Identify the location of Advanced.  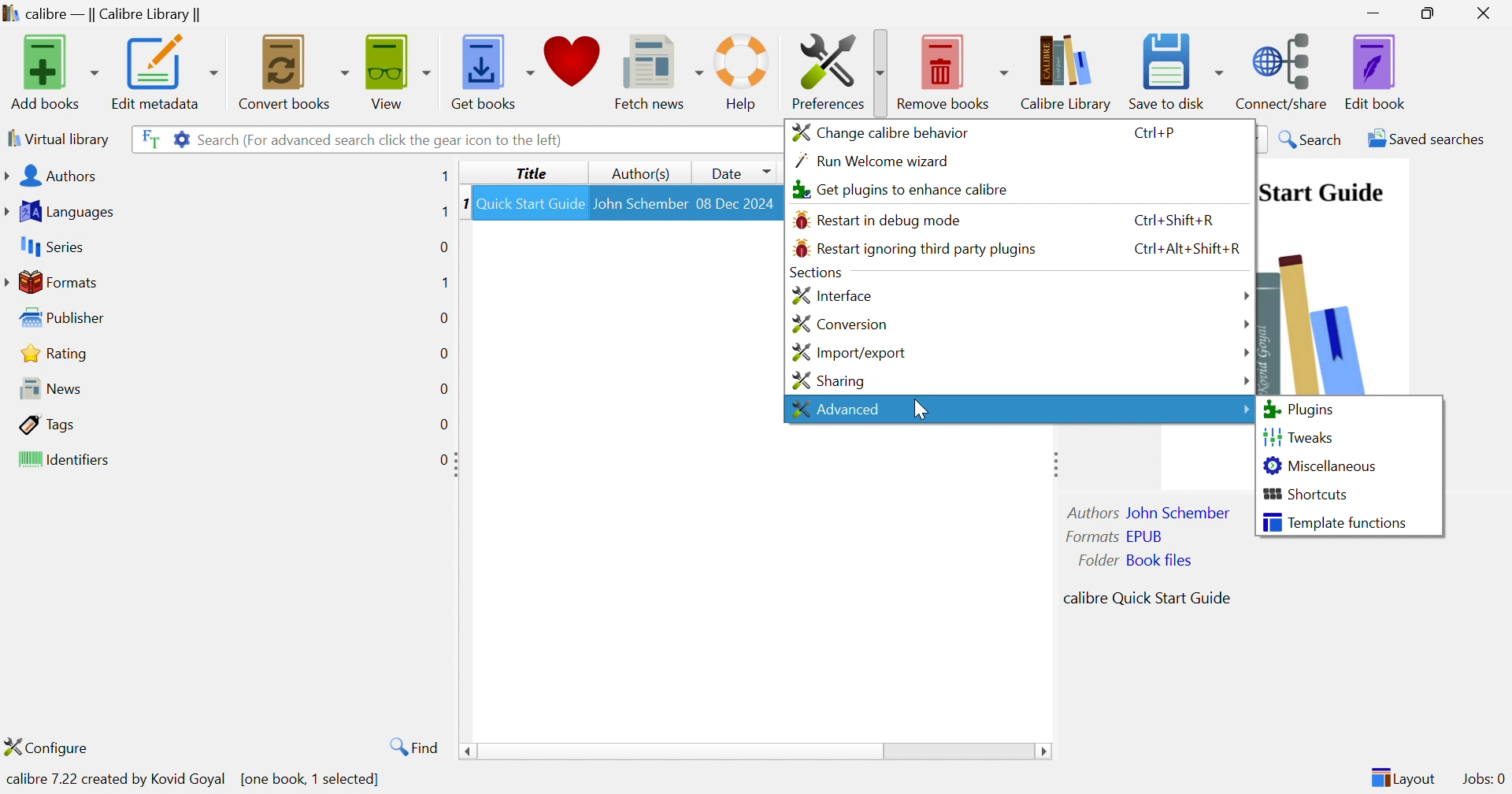
(835, 408).